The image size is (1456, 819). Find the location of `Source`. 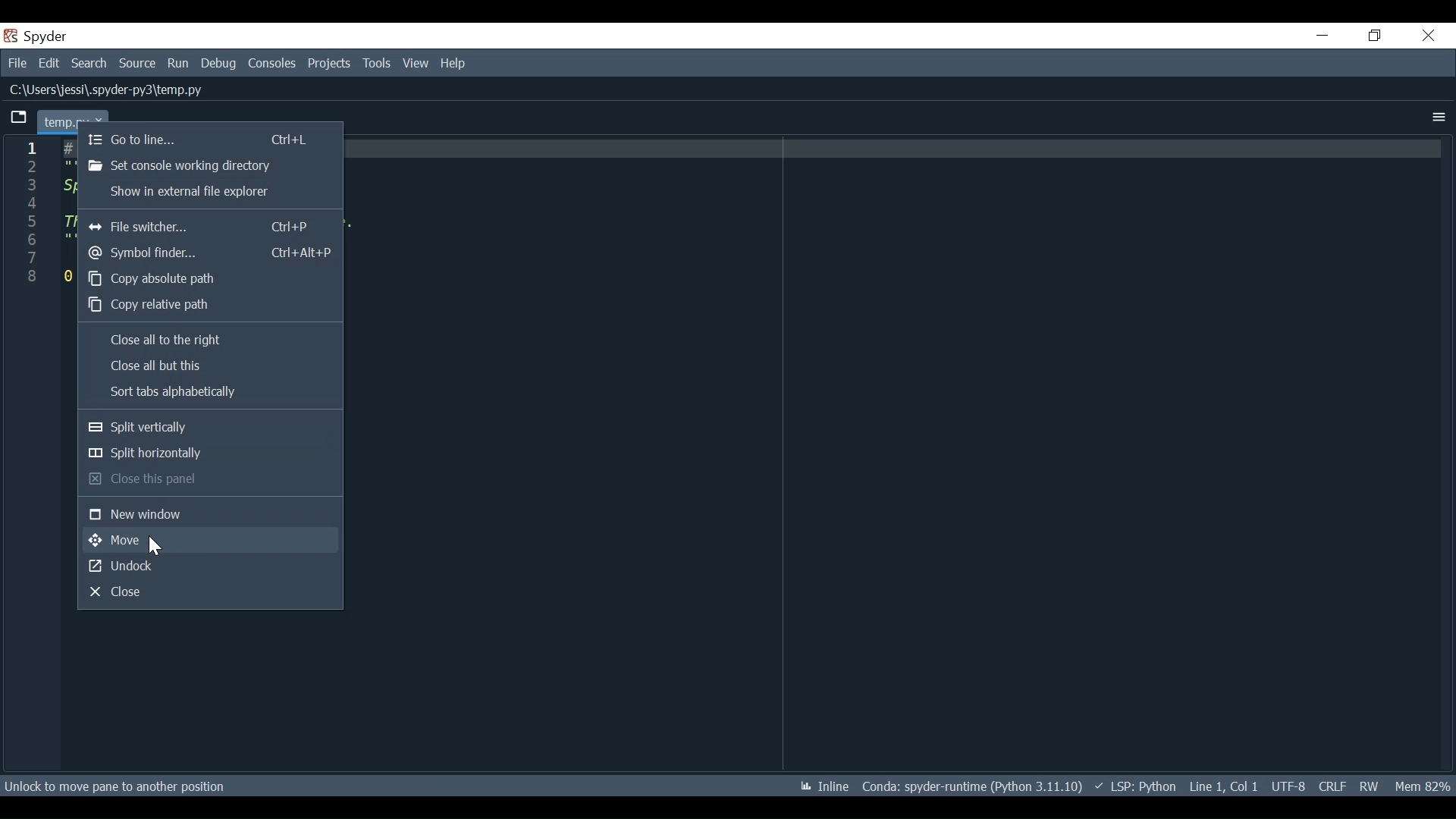

Source is located at coordinates (137, 64).